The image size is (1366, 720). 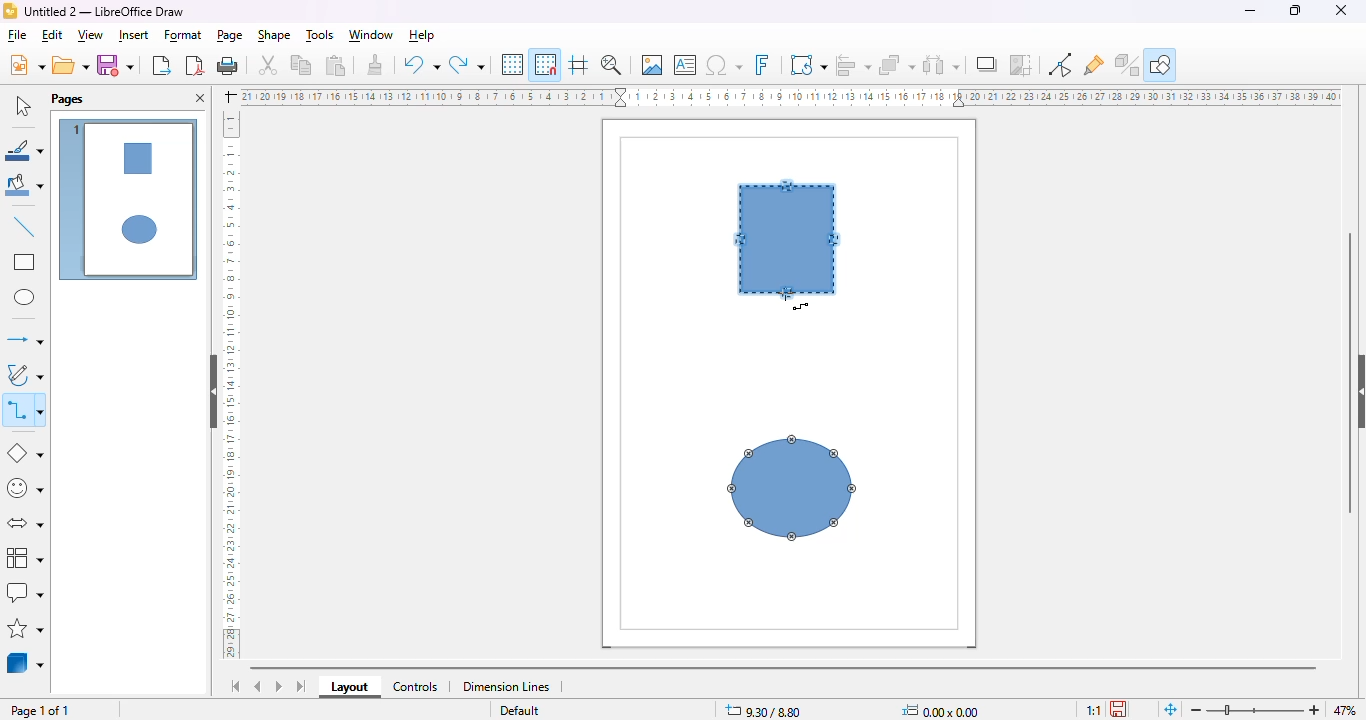 What do you see at coordinates (10, 11) in the screenshot?
I see `logo` at bounding box center [10, 11].